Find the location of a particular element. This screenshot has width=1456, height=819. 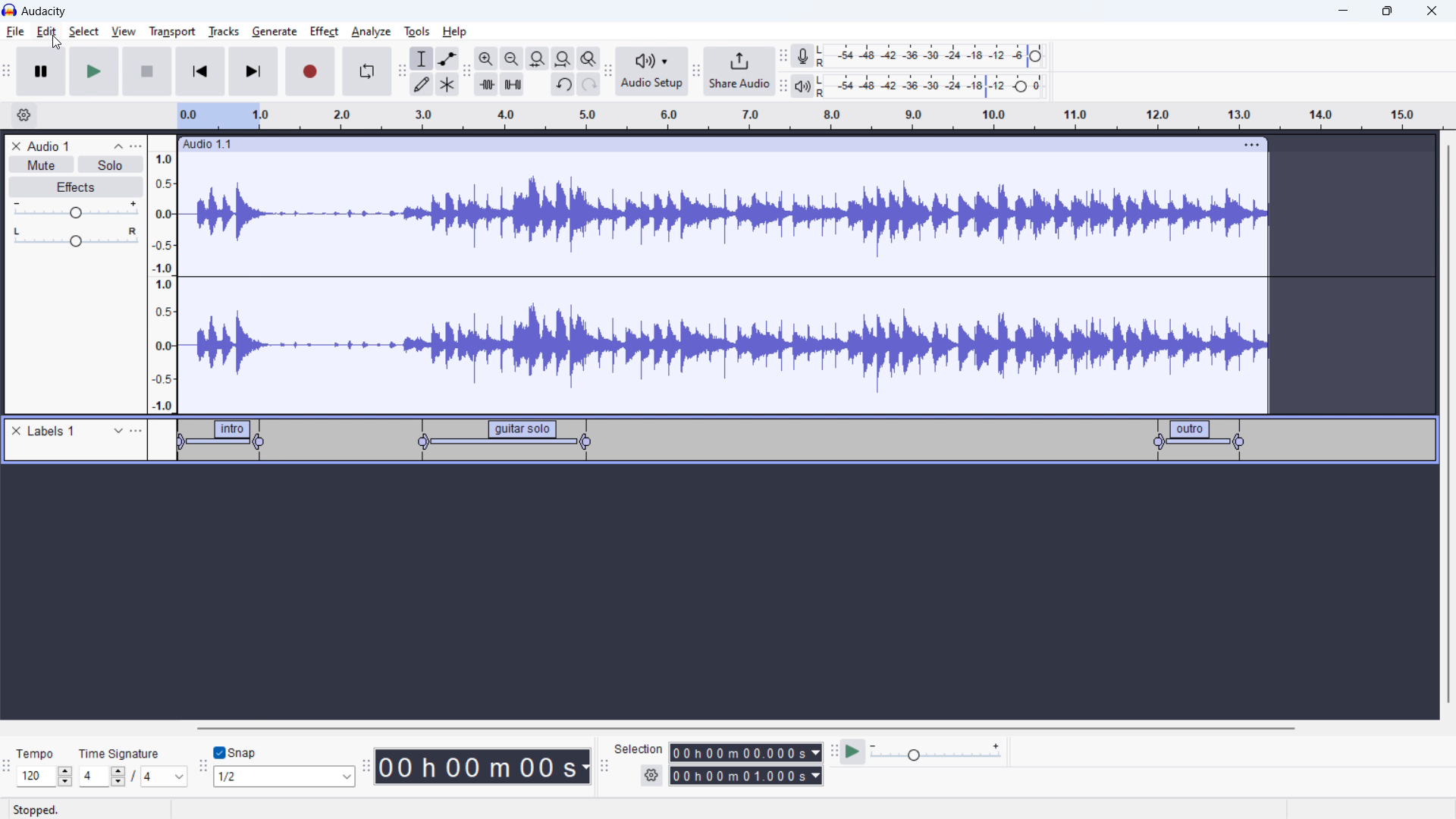

select snapping is located at coordinates (284, 776).